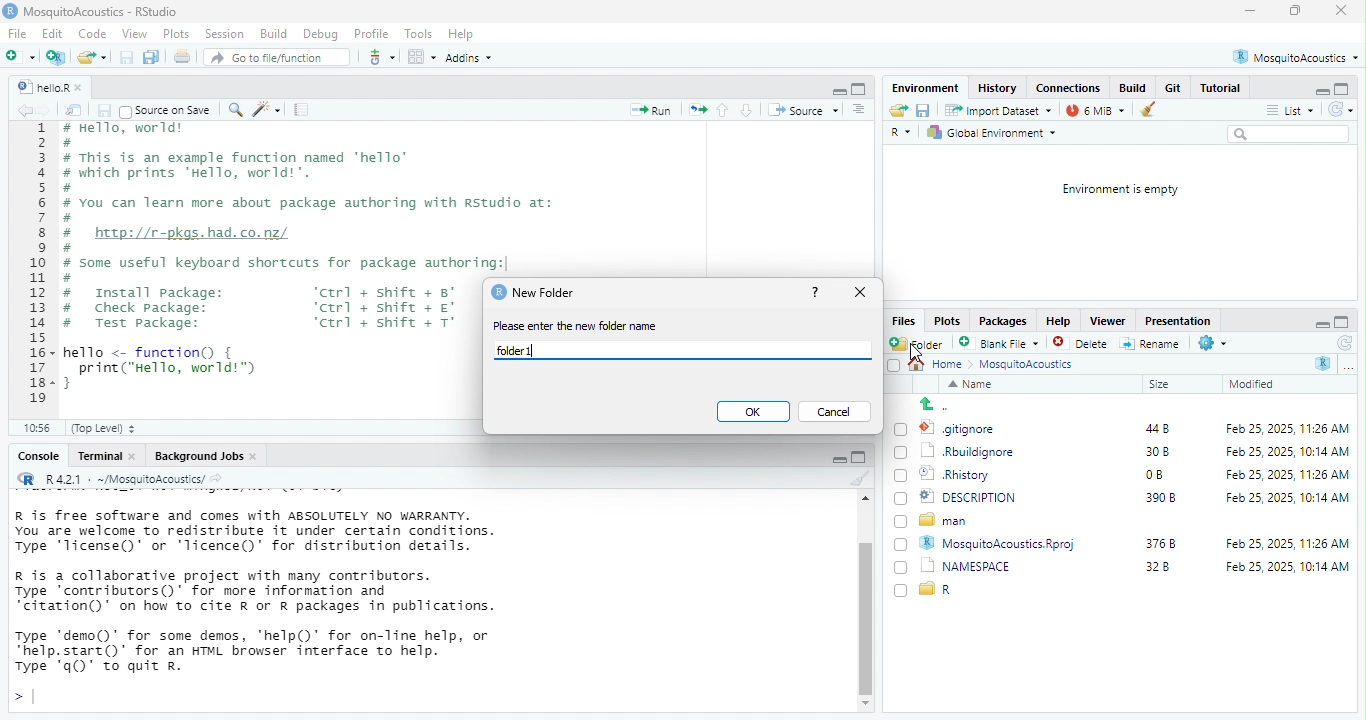 The height and width of the screenshot is (720, 1366). Describe the element at coordinates (724, 112) in the screenshot. I see `go to previous section/chunk` at that location.